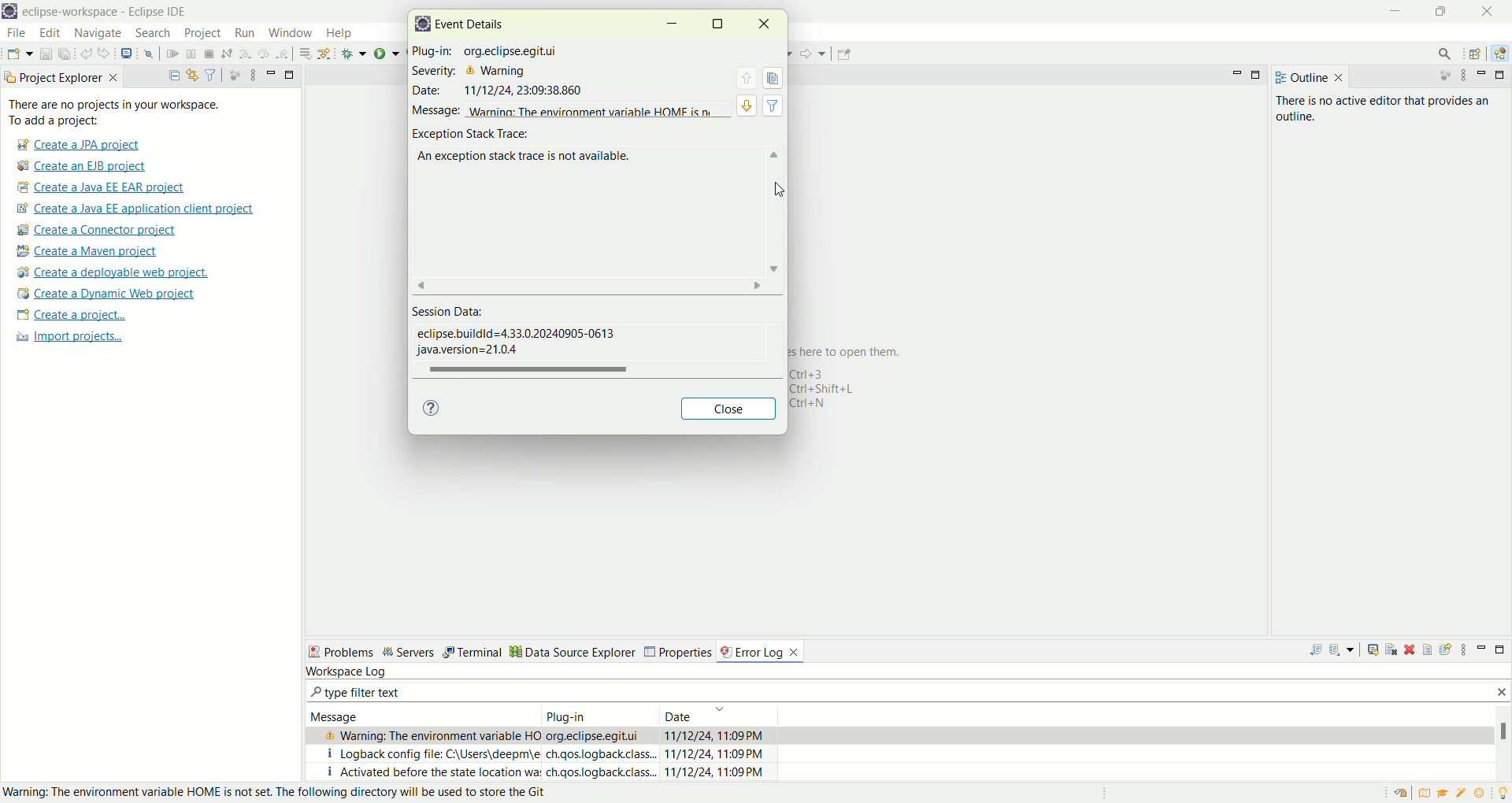  What do you see at coordinates (65, 54) in the screenshot?
I see `save all` at bounding box center [65, 54].